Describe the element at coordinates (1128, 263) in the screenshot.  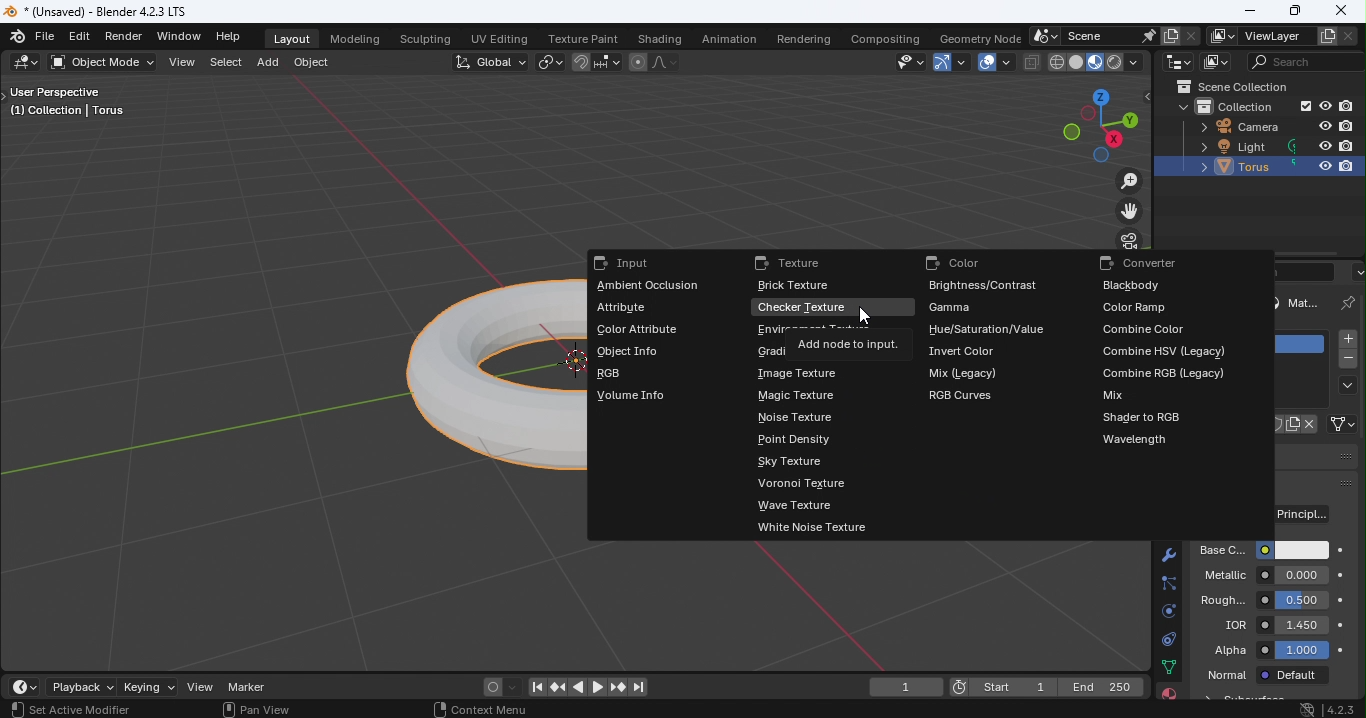
I see `Converter` at that location.